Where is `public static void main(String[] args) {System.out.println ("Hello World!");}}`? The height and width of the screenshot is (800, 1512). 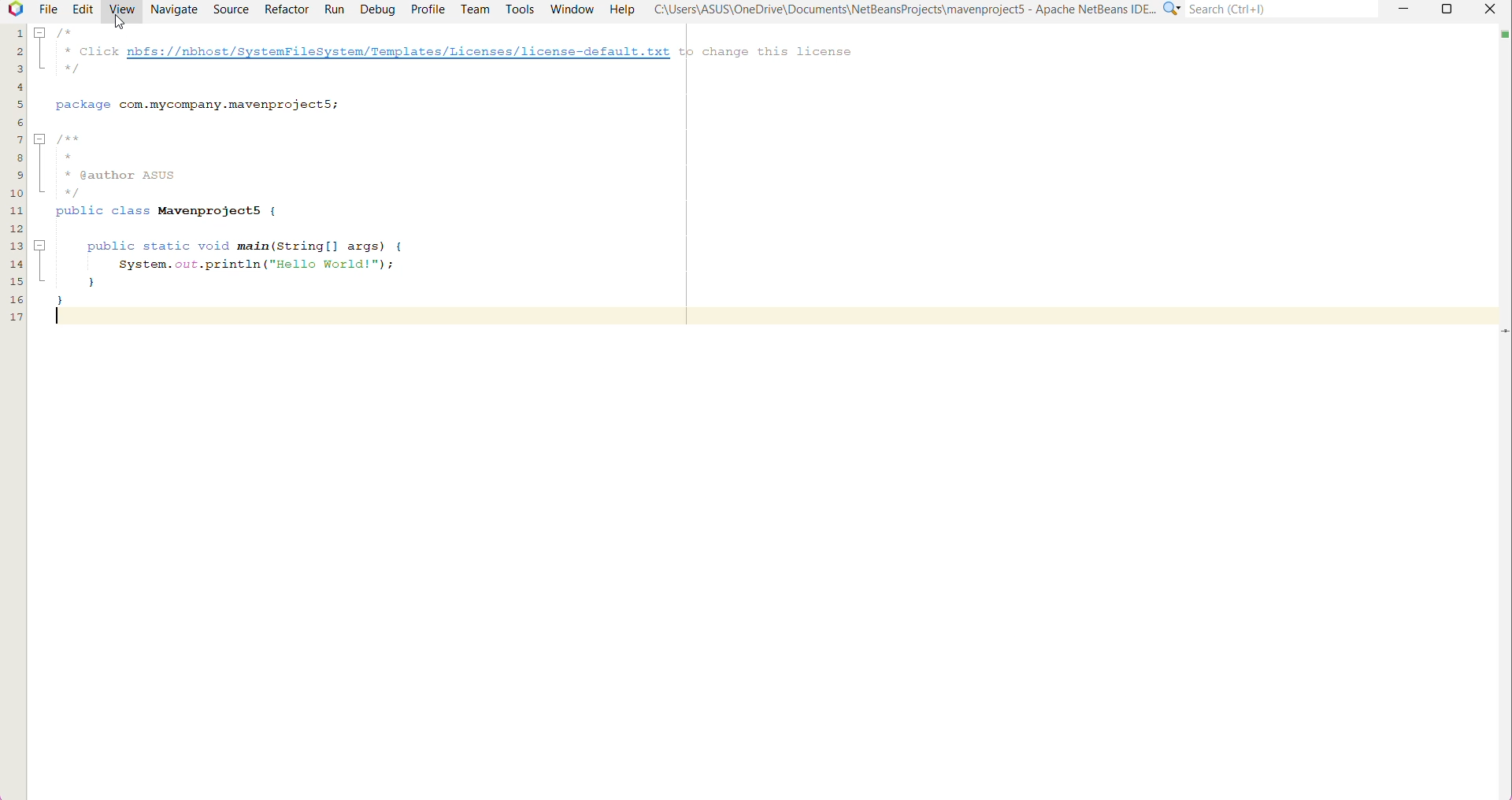 public static void main(String[] args) {System.out.println ("Hello World!");}} is located at coordinates (240, 269).